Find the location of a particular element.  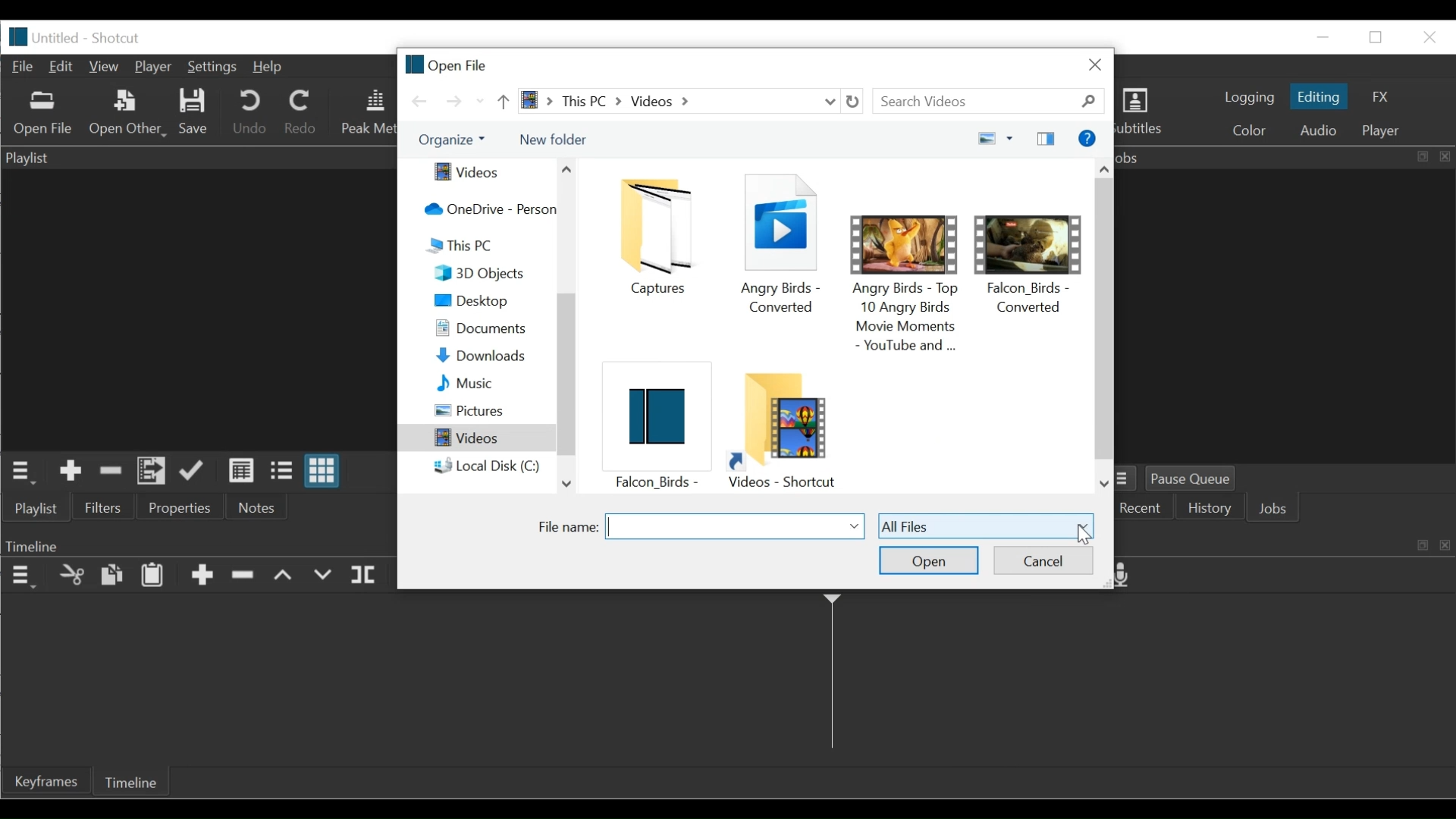

Close is located at coordinates (1426, 36).